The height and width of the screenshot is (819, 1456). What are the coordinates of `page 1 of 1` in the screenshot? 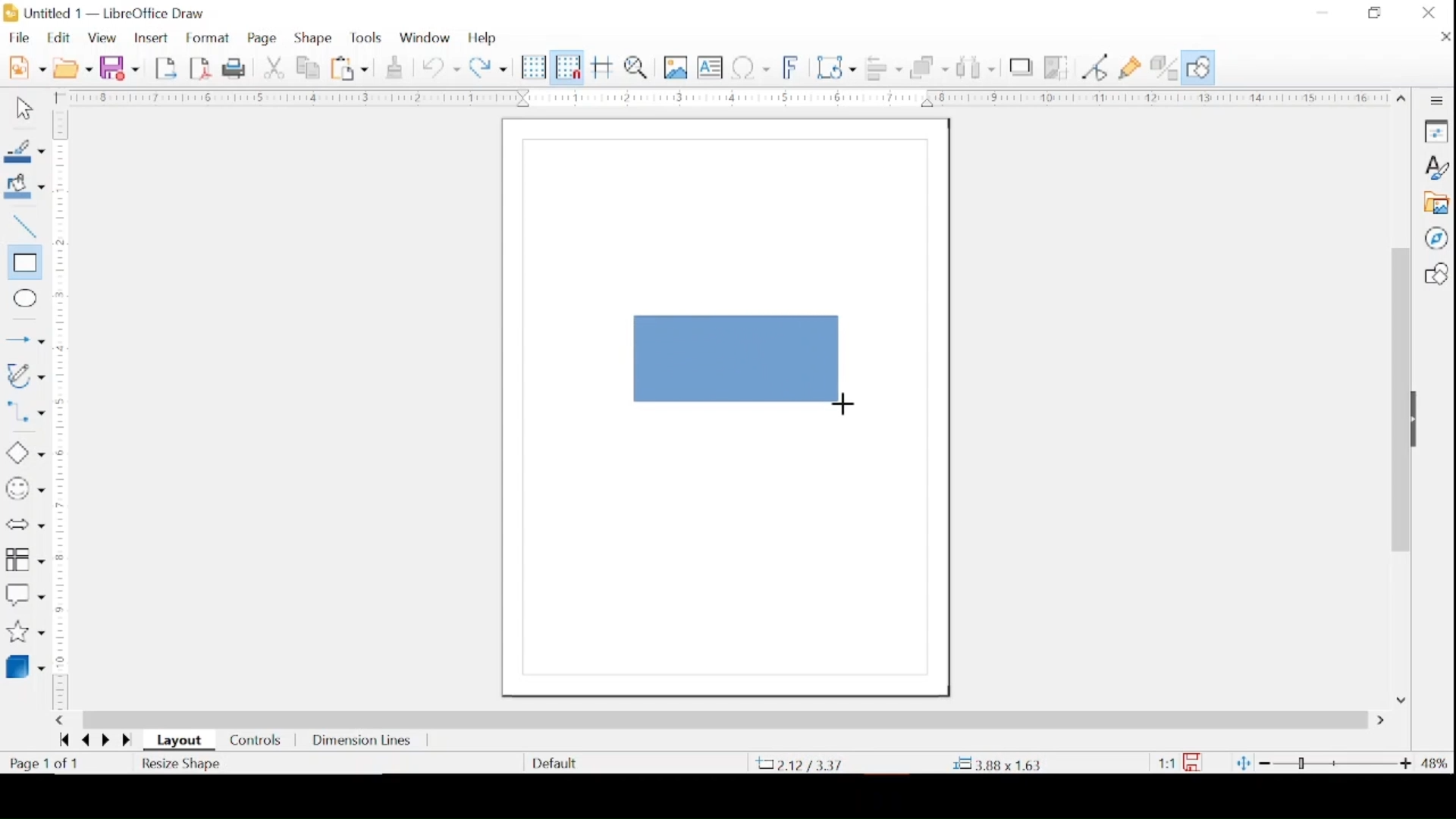 It's located at (45, 764).